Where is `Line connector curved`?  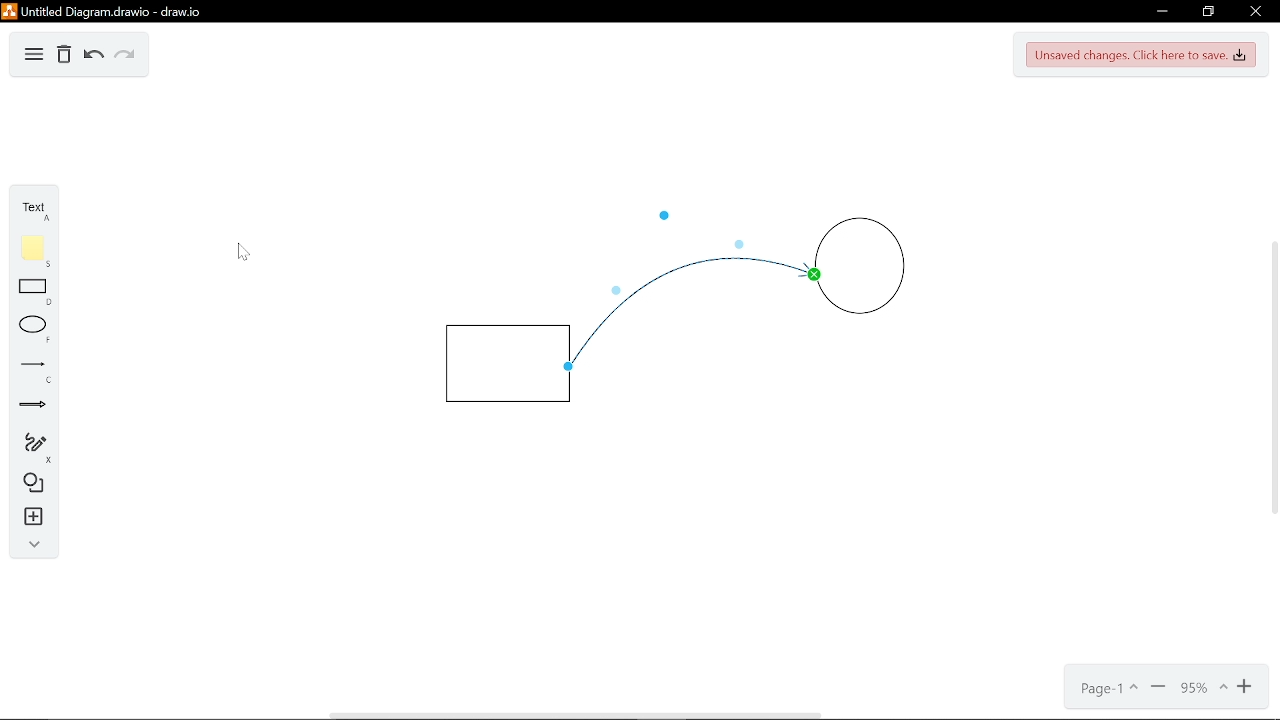
Line connector curved is located at coordinates (683, 319).